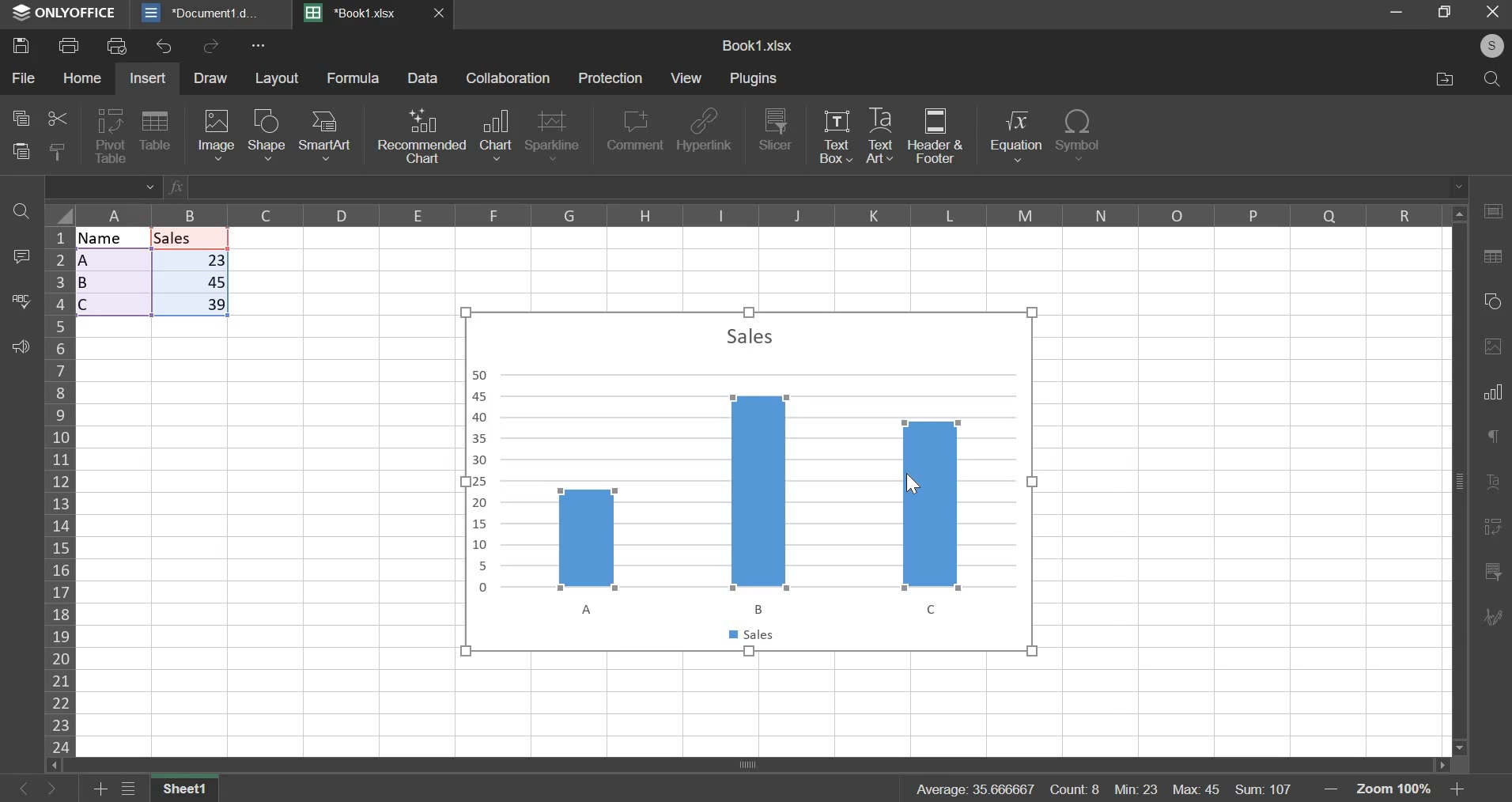 Image resolution: width=1512 pixels, height=802 pixels. Describe the element at coordinates (58, 150) in the screenshot. I see `copy style` at that location.